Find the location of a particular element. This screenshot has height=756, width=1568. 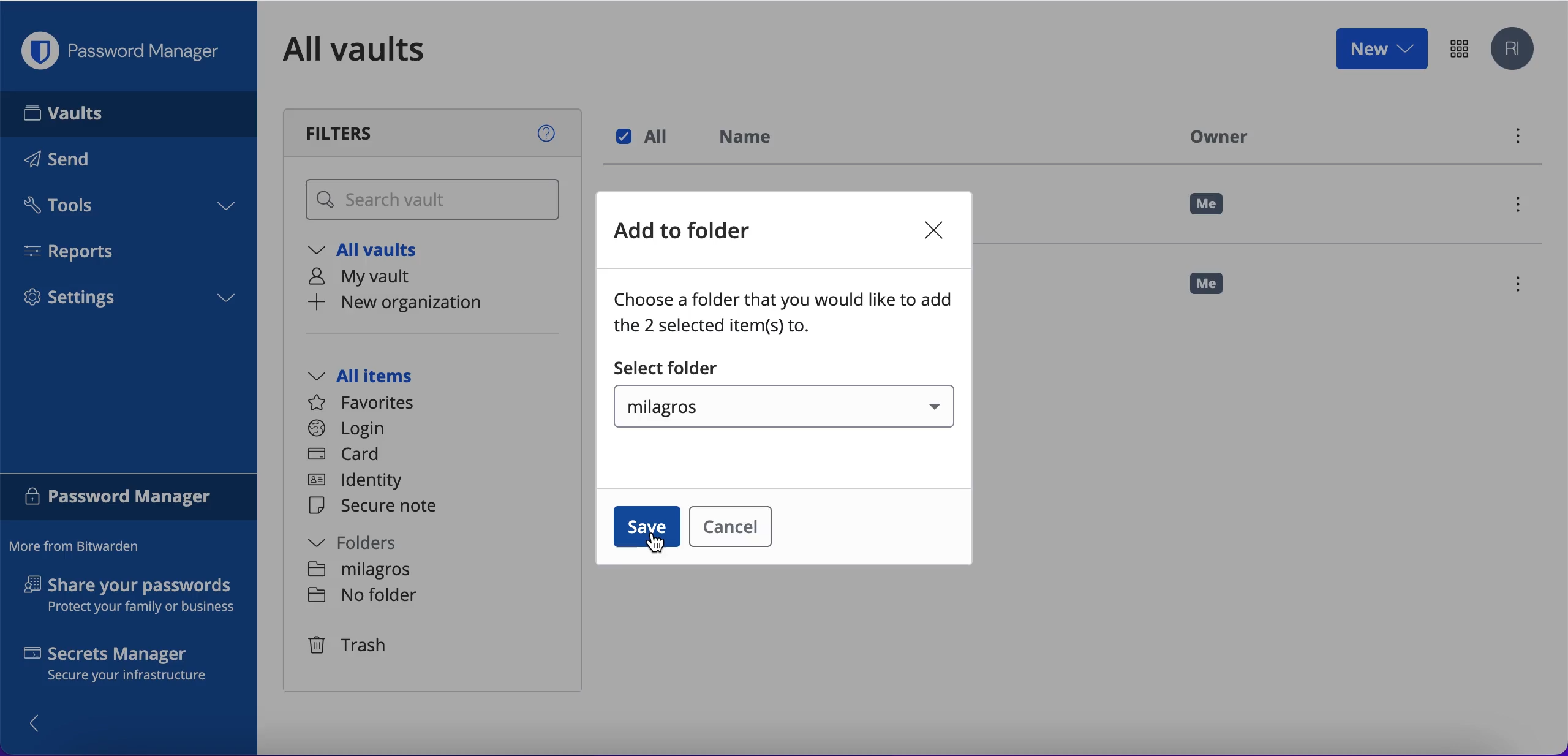

secrets manager secure your infrastructure is located at coordinates (129, 667).